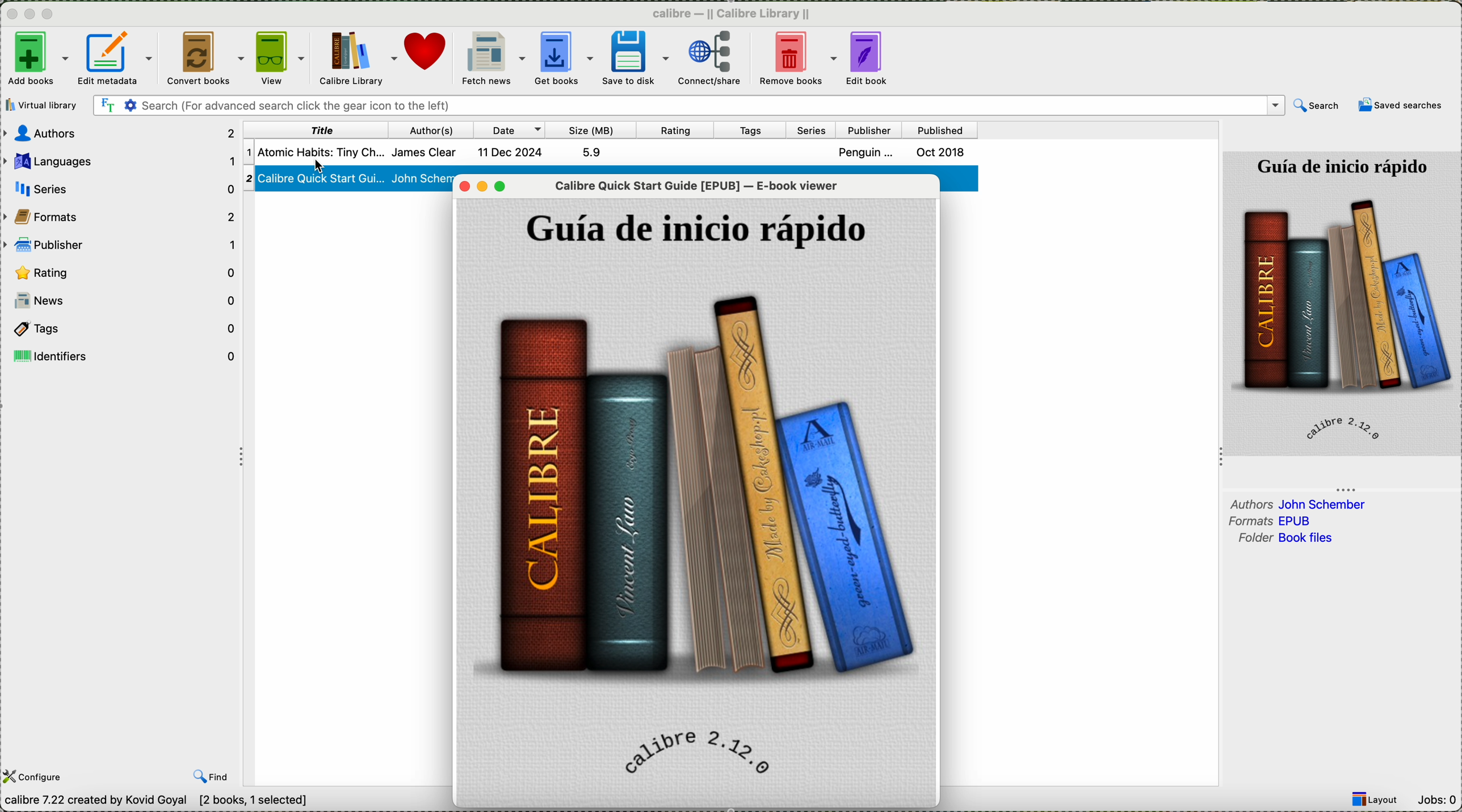  Describe the element at coordinates (121, 187) in the screenshot. I see `series` at that location.